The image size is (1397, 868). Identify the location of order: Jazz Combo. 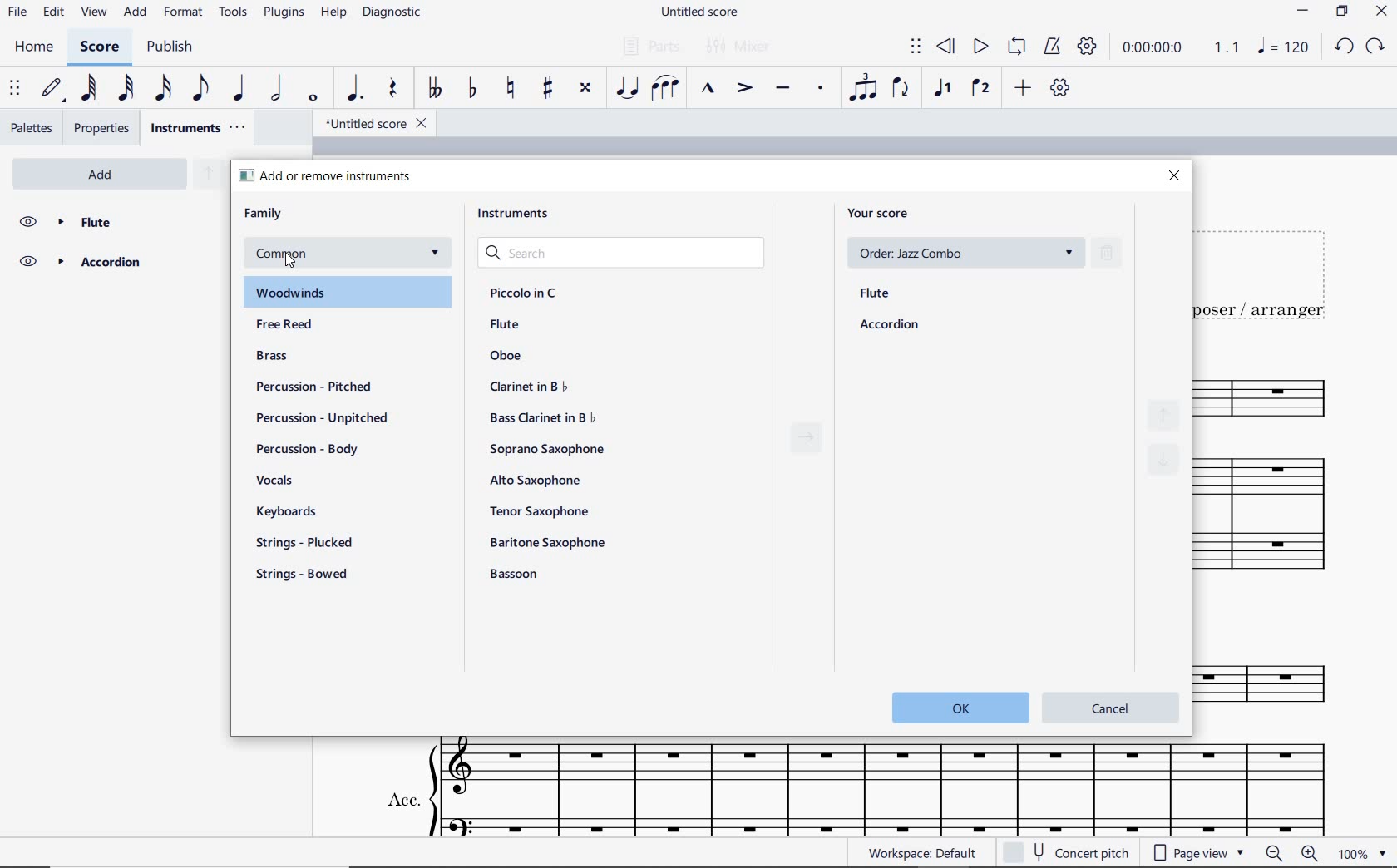
(964, 252).